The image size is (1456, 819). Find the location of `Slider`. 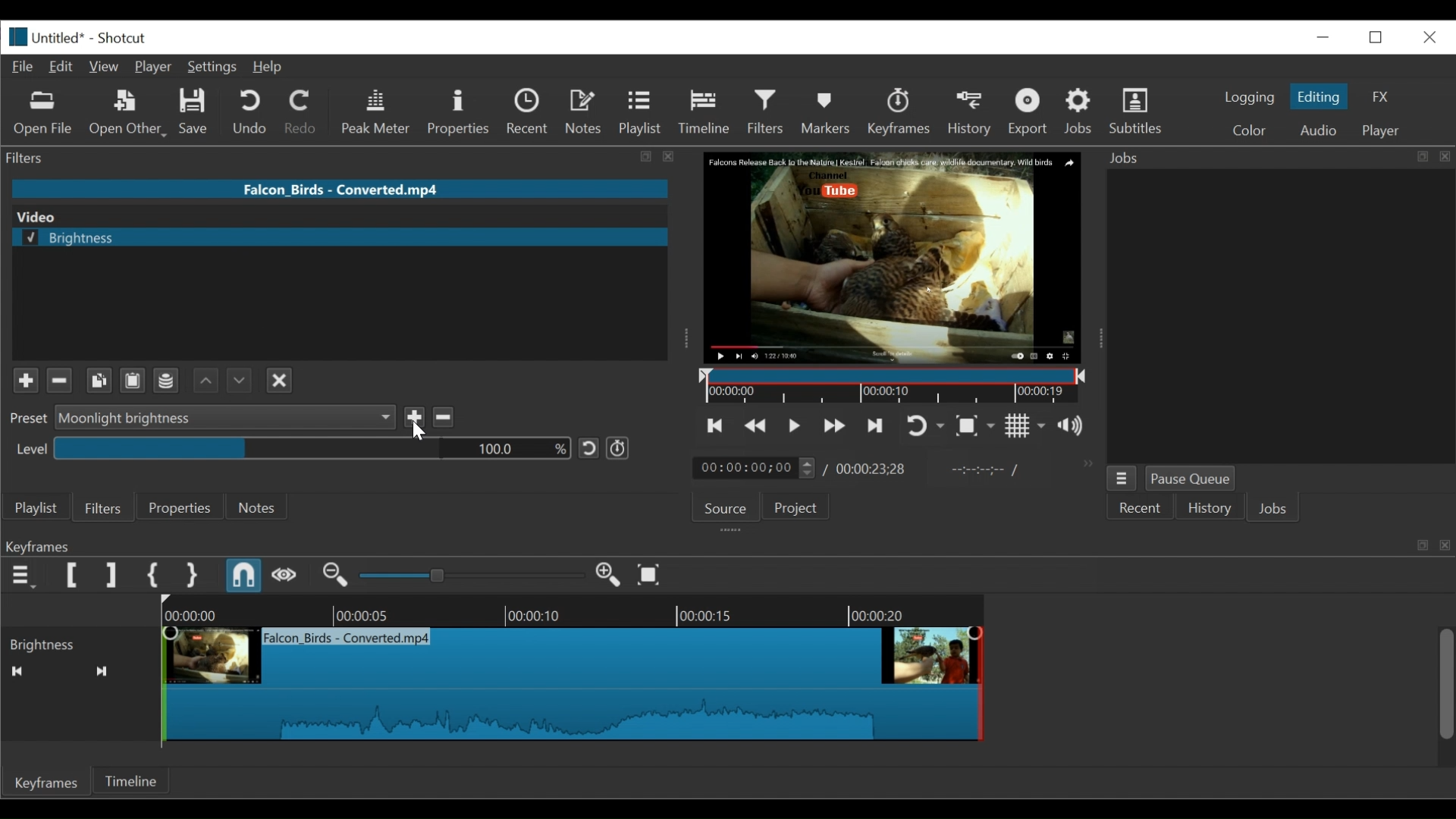

Slider is located at coordinates (1442, 682).